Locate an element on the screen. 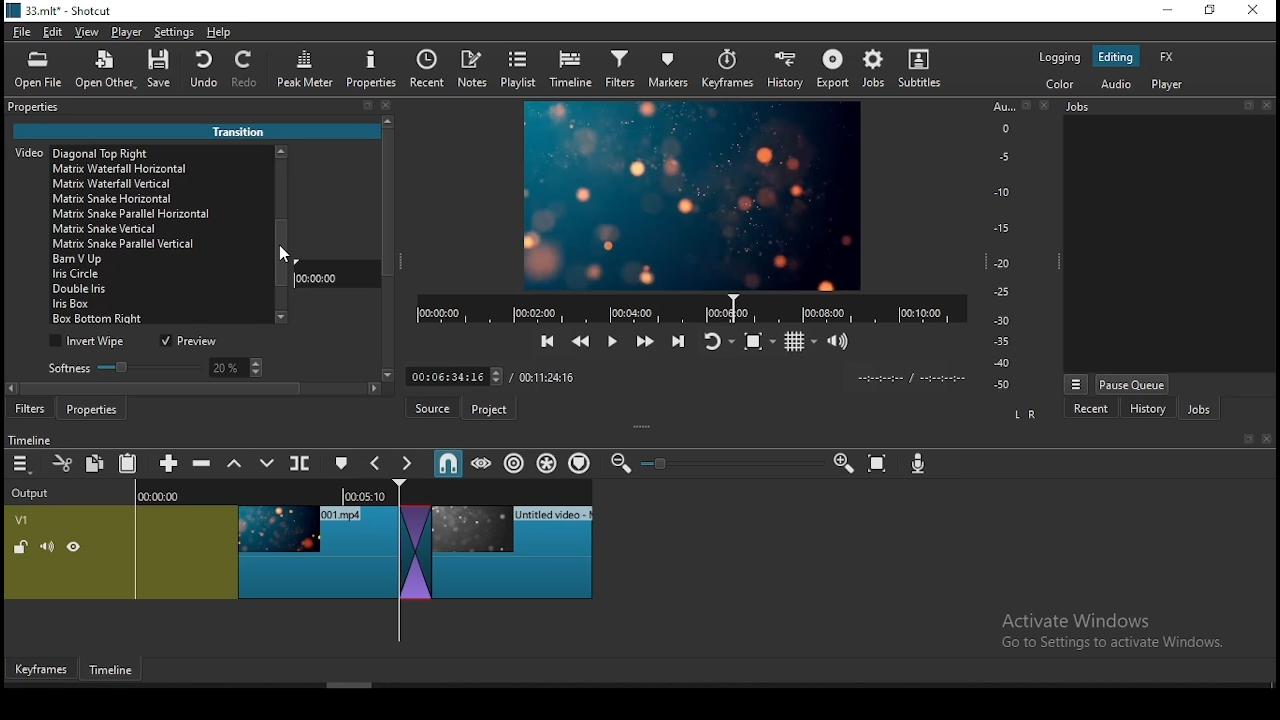 This screenshot has width=1280, height=720. transition option is located at coordinates (158, 198).